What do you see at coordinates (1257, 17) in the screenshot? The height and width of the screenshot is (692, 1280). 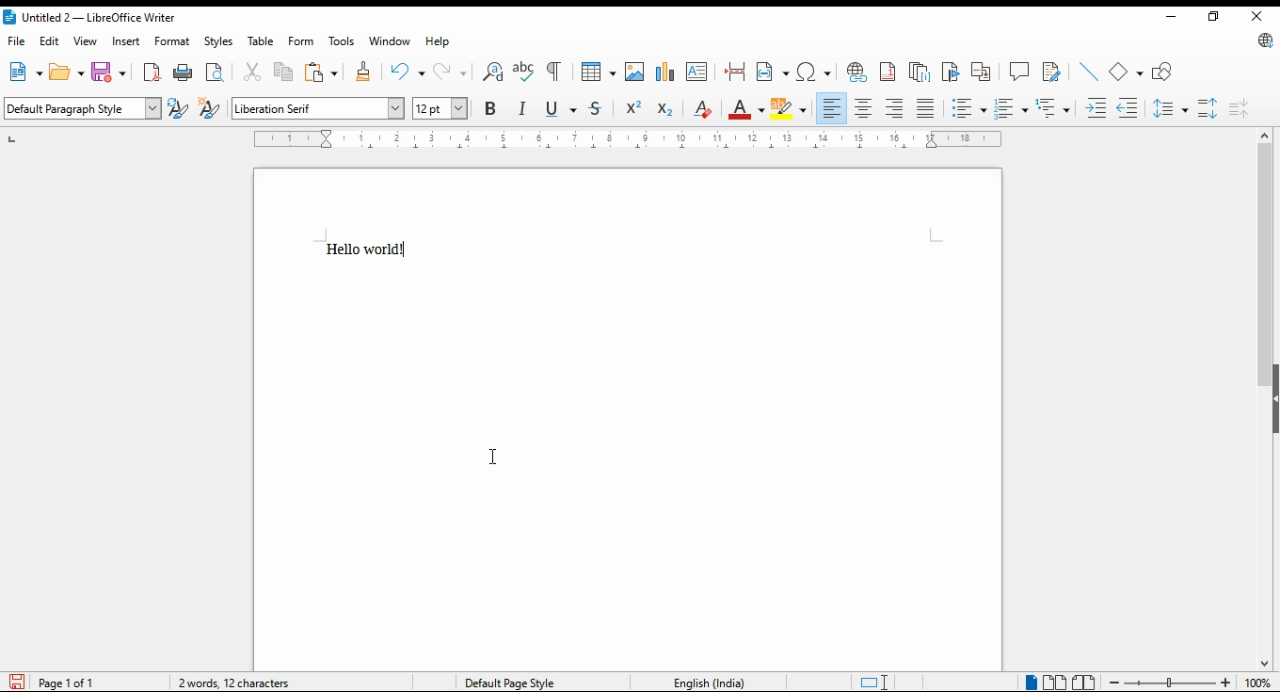 I see `close window` at bounding box center [1257, 17].